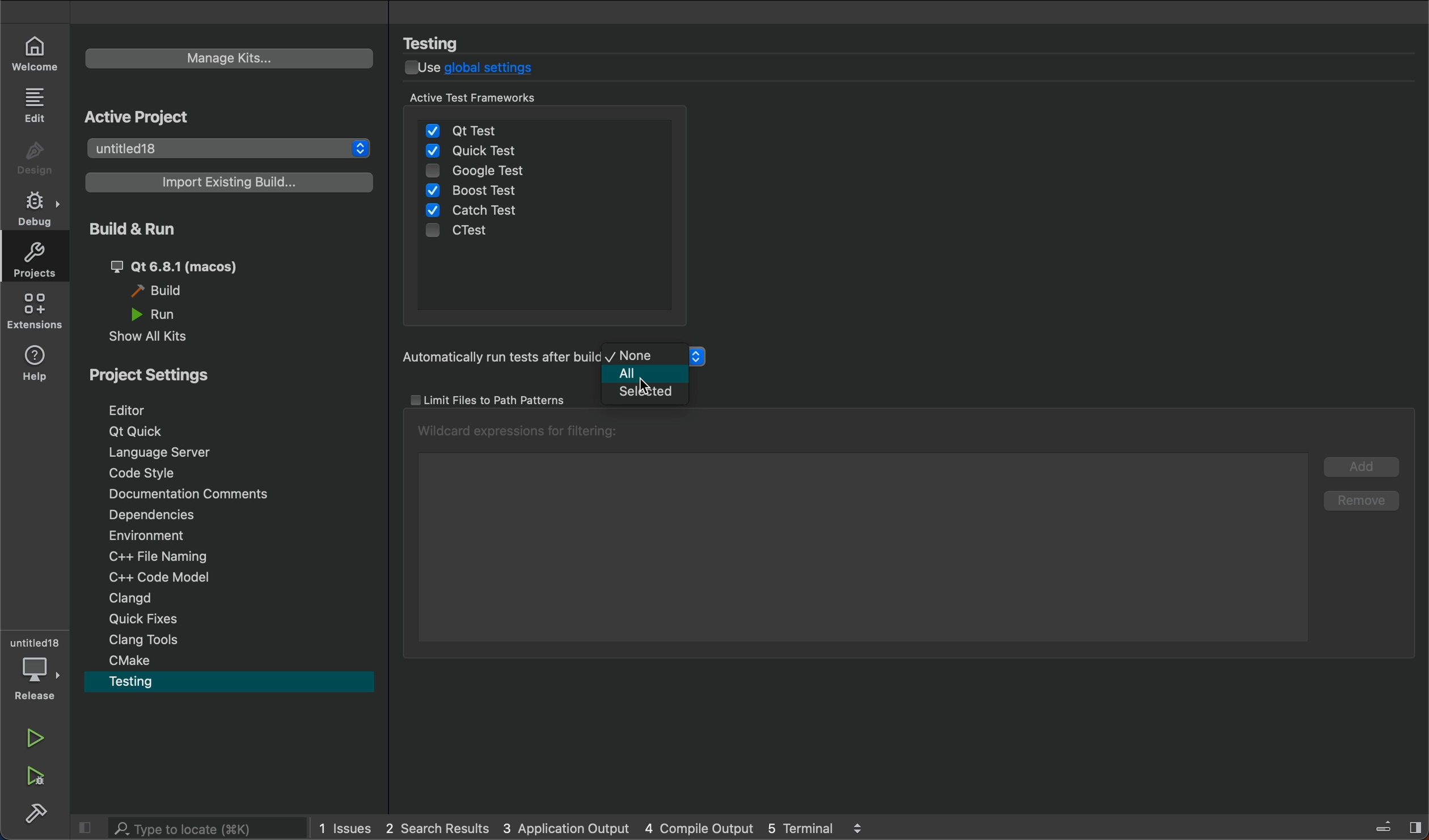 Image resolution: width=1429 pixels, height=840 pixels. Describe the element at coordinates (36, 735) in the screenshot. I see `run` at that location.